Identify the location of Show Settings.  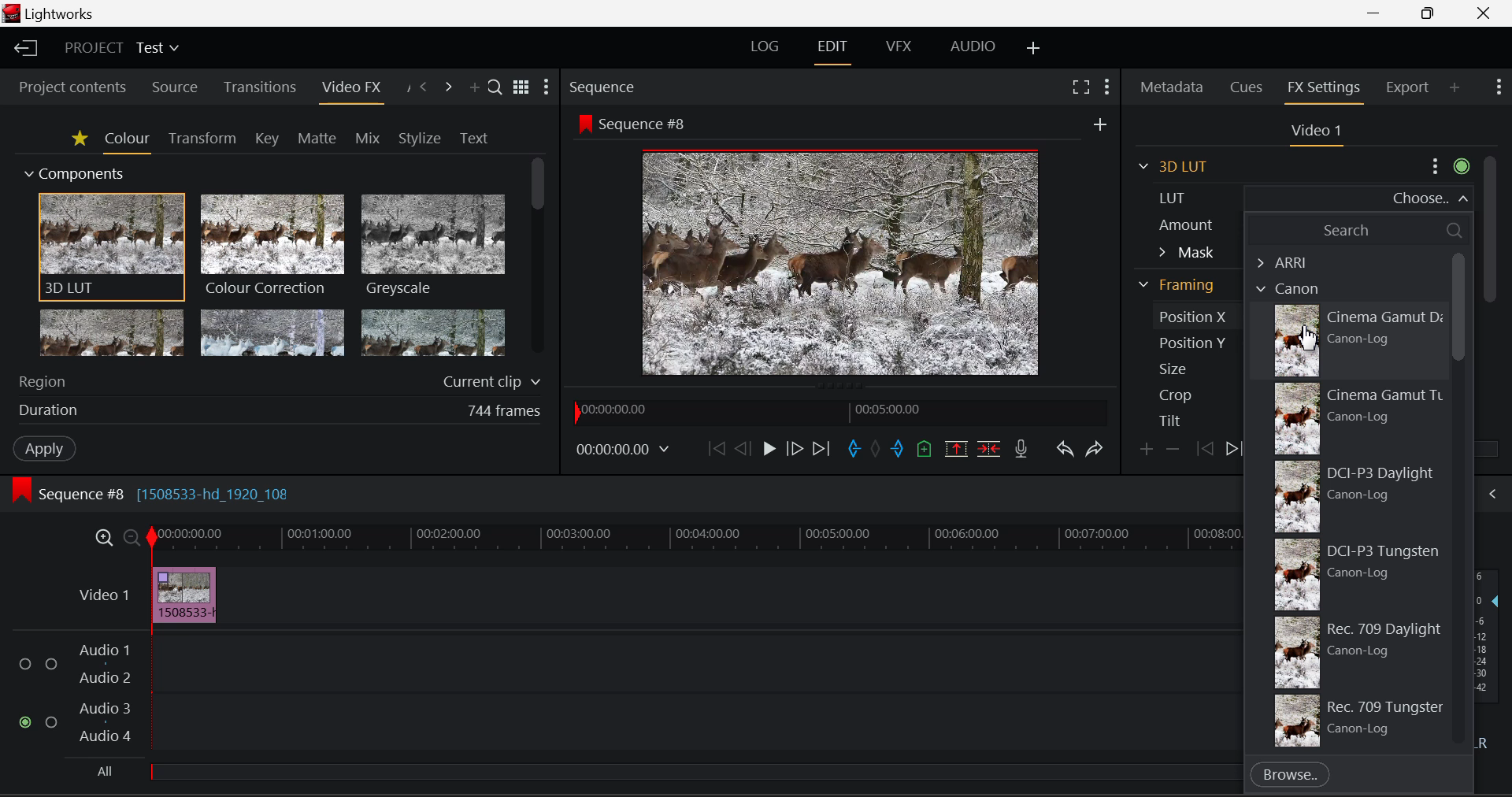
(1106, 85).